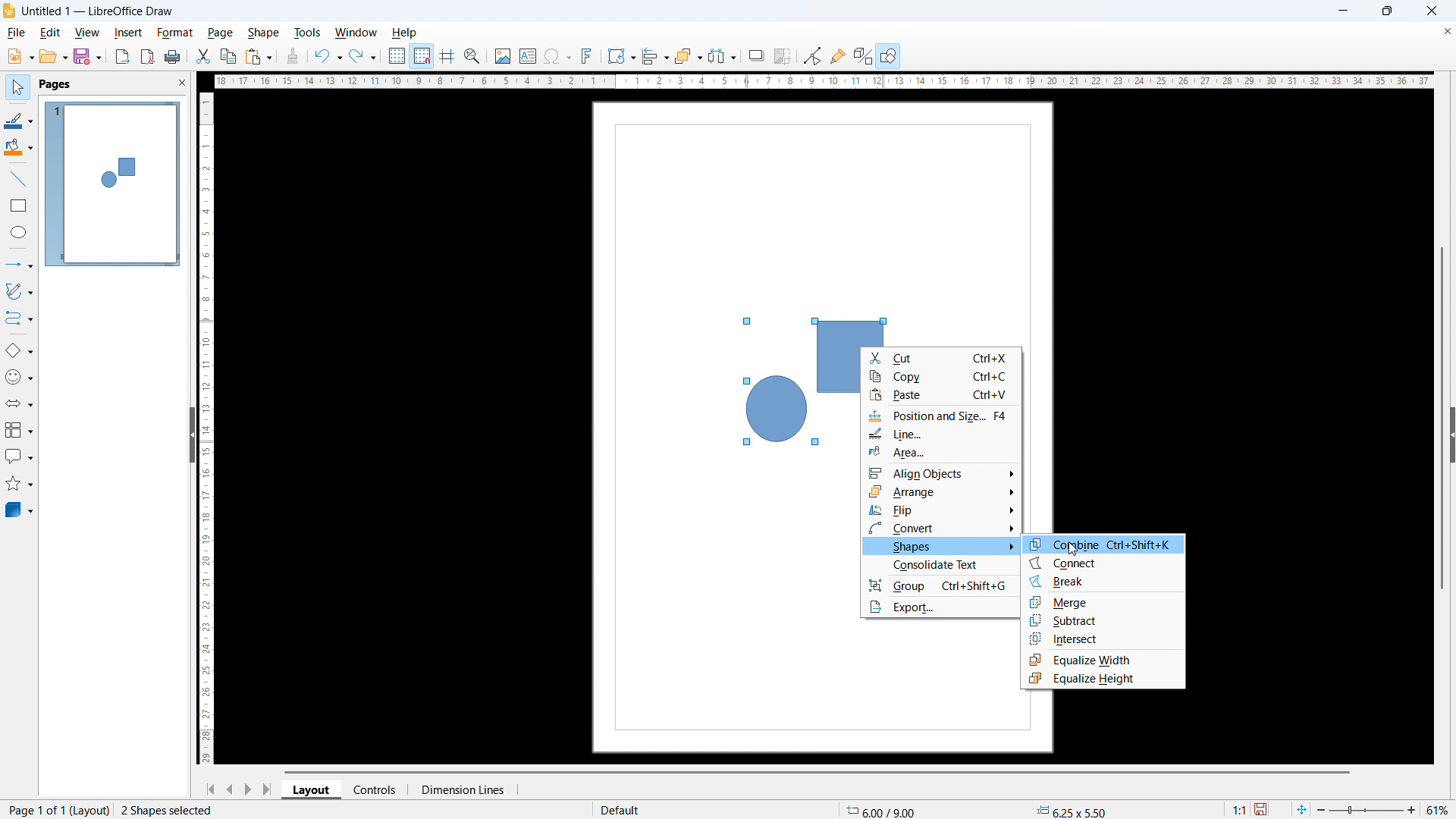 The image size is (1456, 819). What do you see at coordinates (422, 55) in the screenshot?
I see `snap to grid` at bounding box center [422, 55].